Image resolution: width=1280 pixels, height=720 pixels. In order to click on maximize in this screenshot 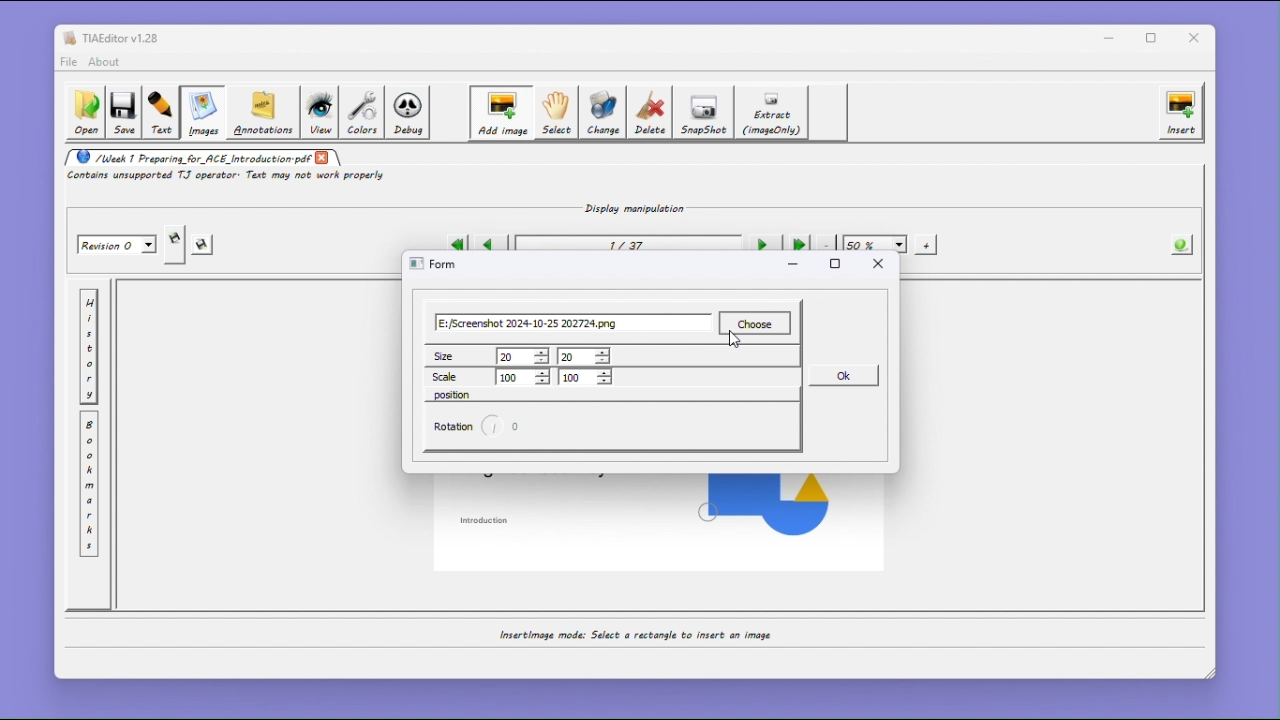, I will do `click(835, 264)`.